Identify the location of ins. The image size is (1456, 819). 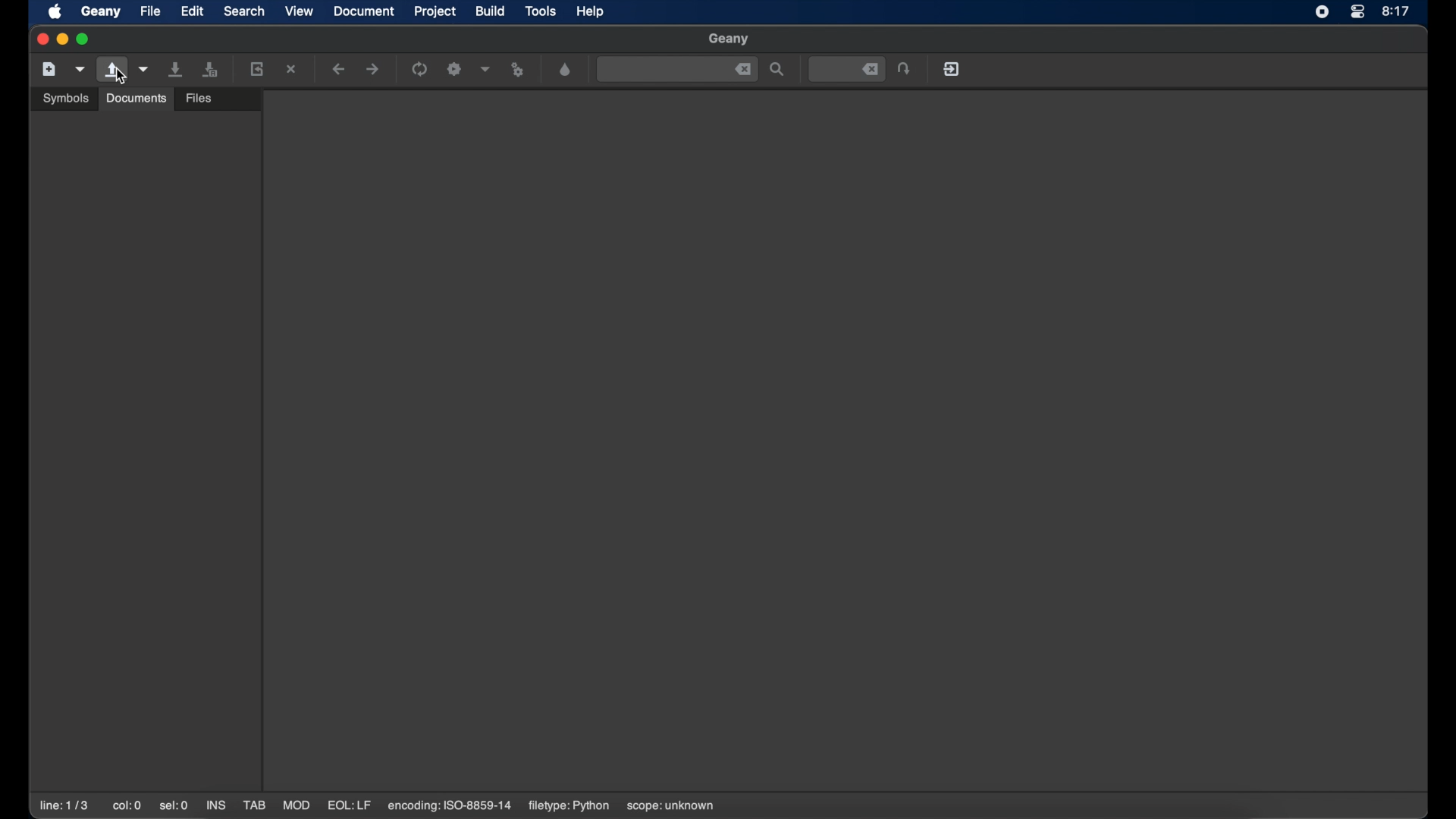
(215, 805).